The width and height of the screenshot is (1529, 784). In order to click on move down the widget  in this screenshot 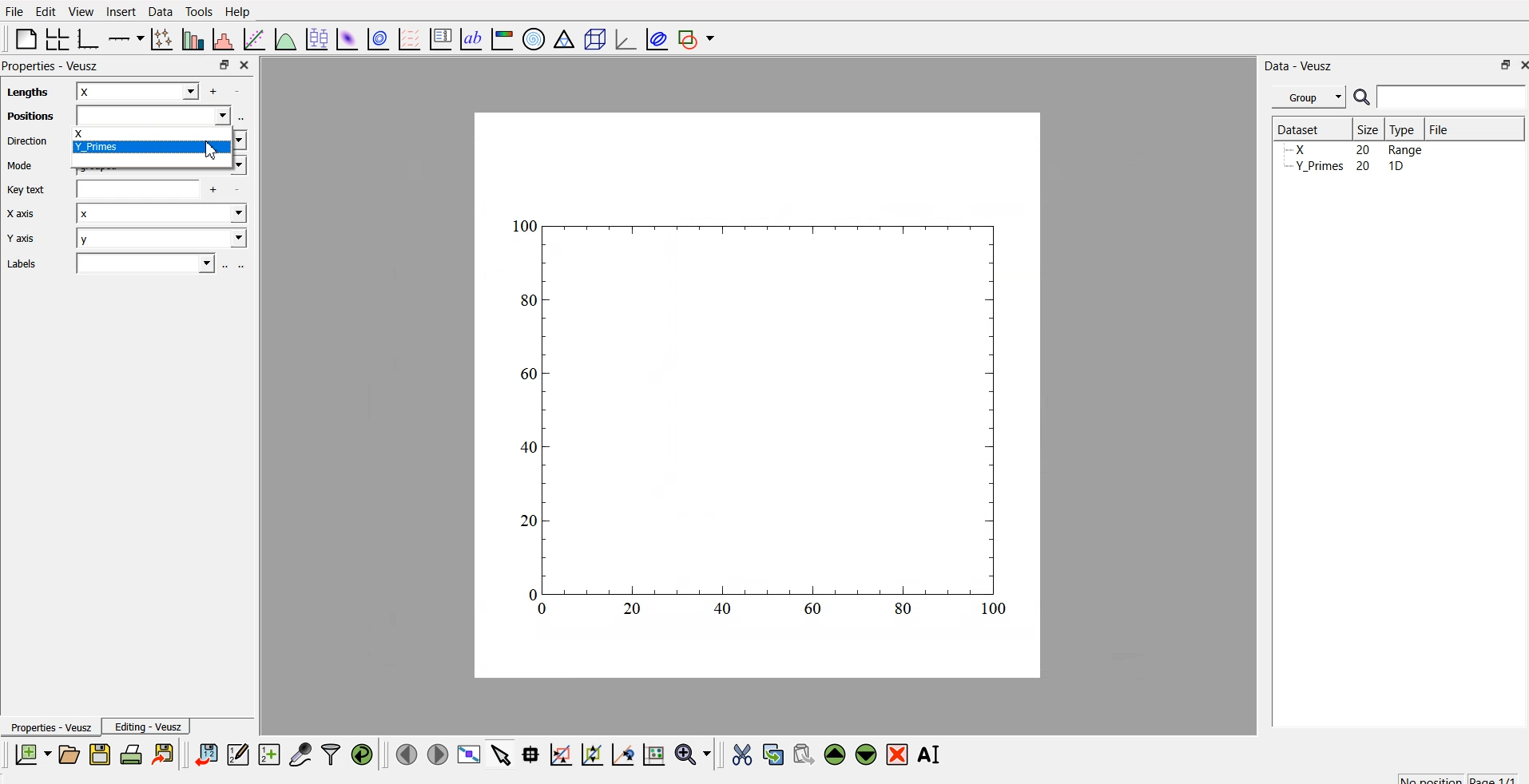, I will do `click(864, 754)`.